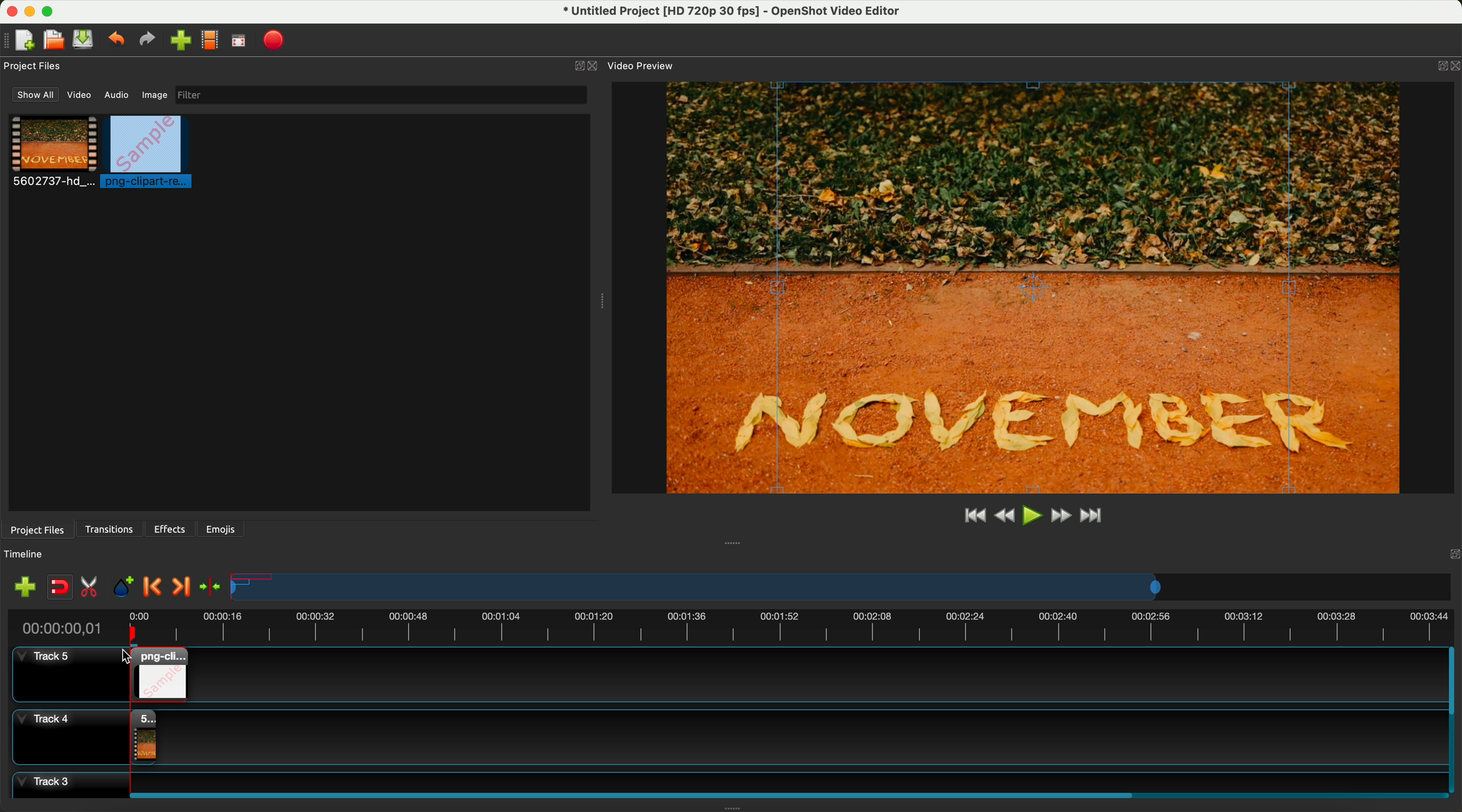  I want to click on add mark, so click(126, 589).